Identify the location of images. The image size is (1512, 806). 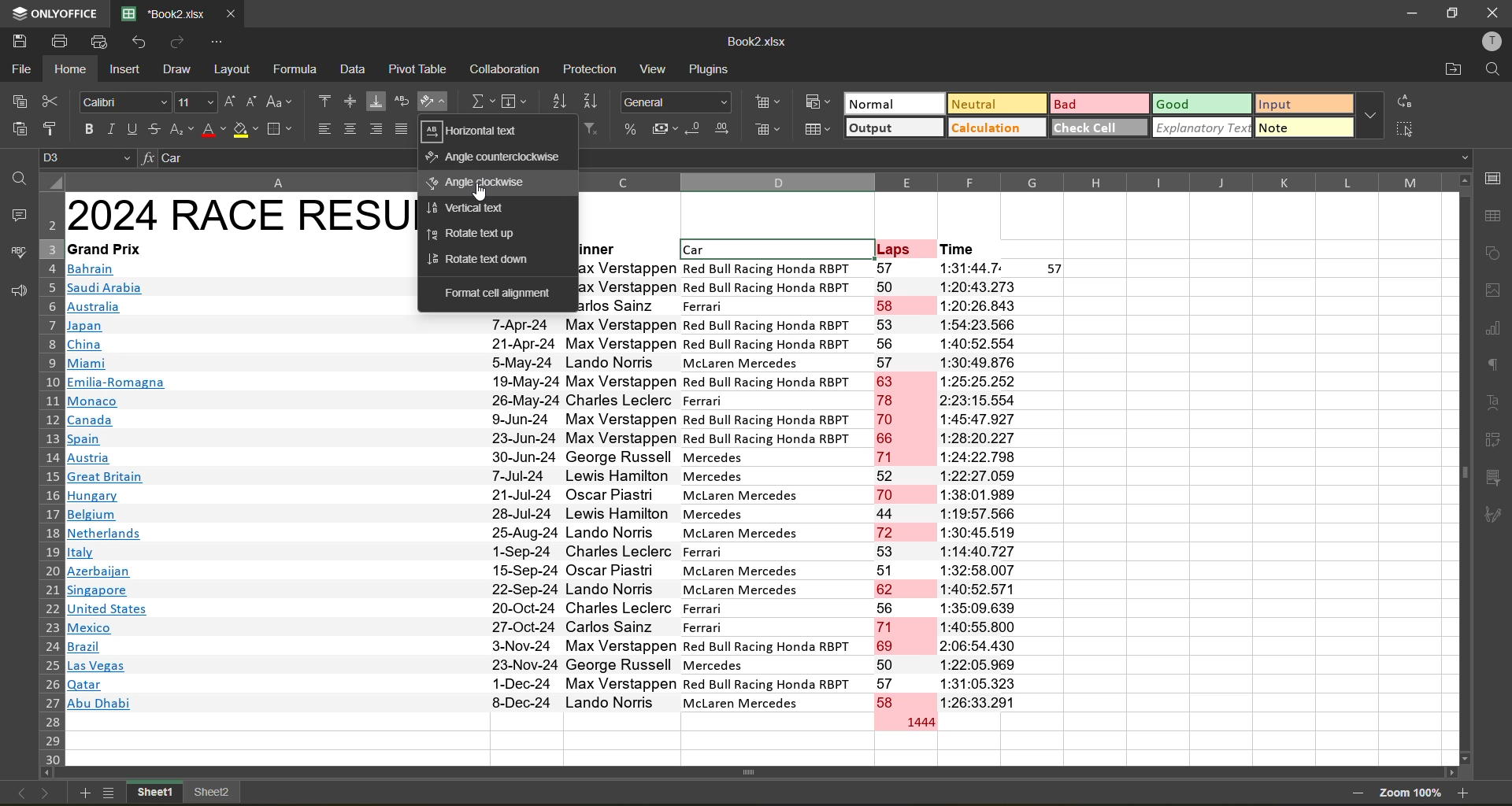
(1494, 290).